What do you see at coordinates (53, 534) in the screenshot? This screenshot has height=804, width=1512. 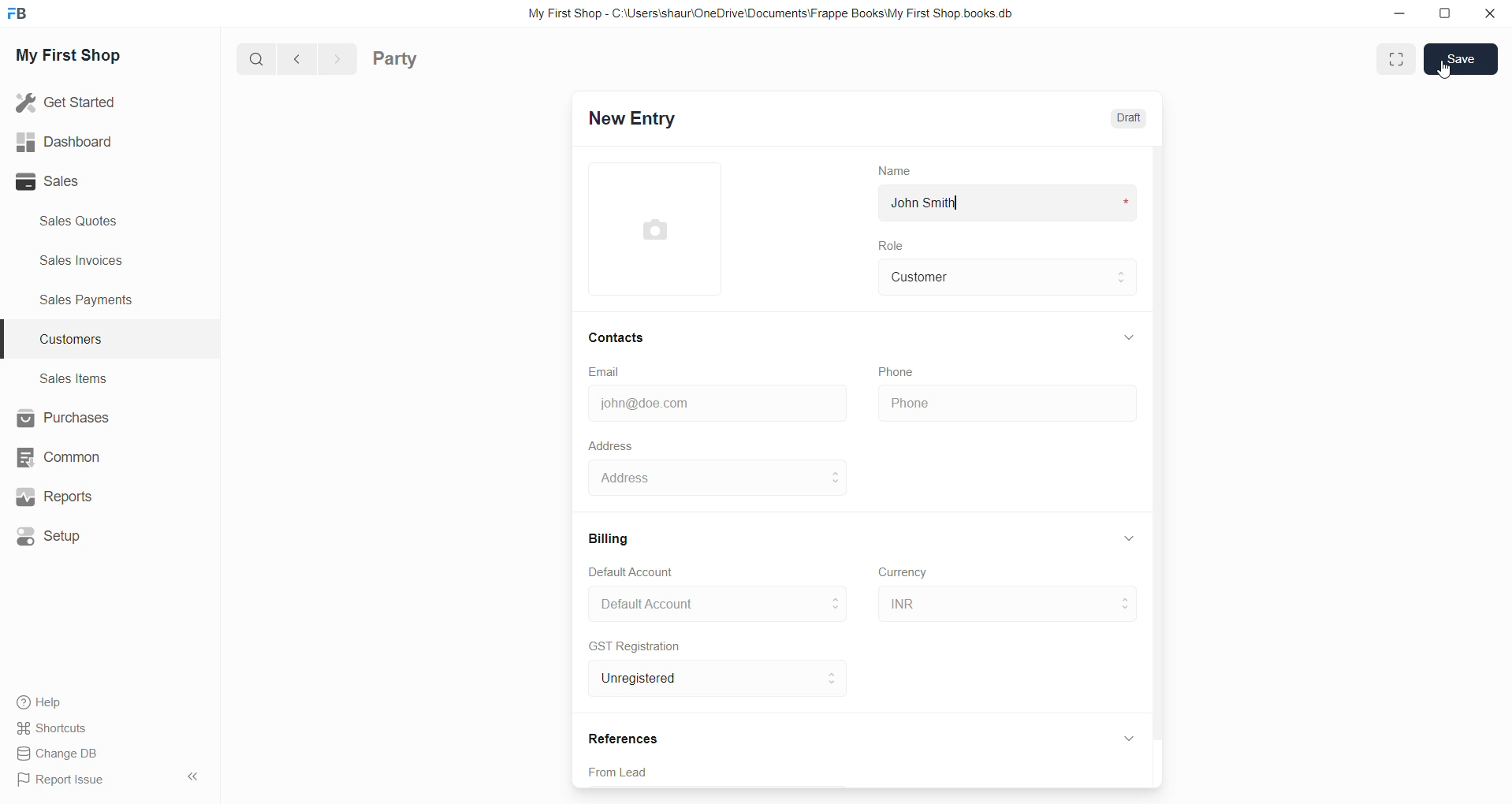 I see `Setup` at bounding box center [53, 534].